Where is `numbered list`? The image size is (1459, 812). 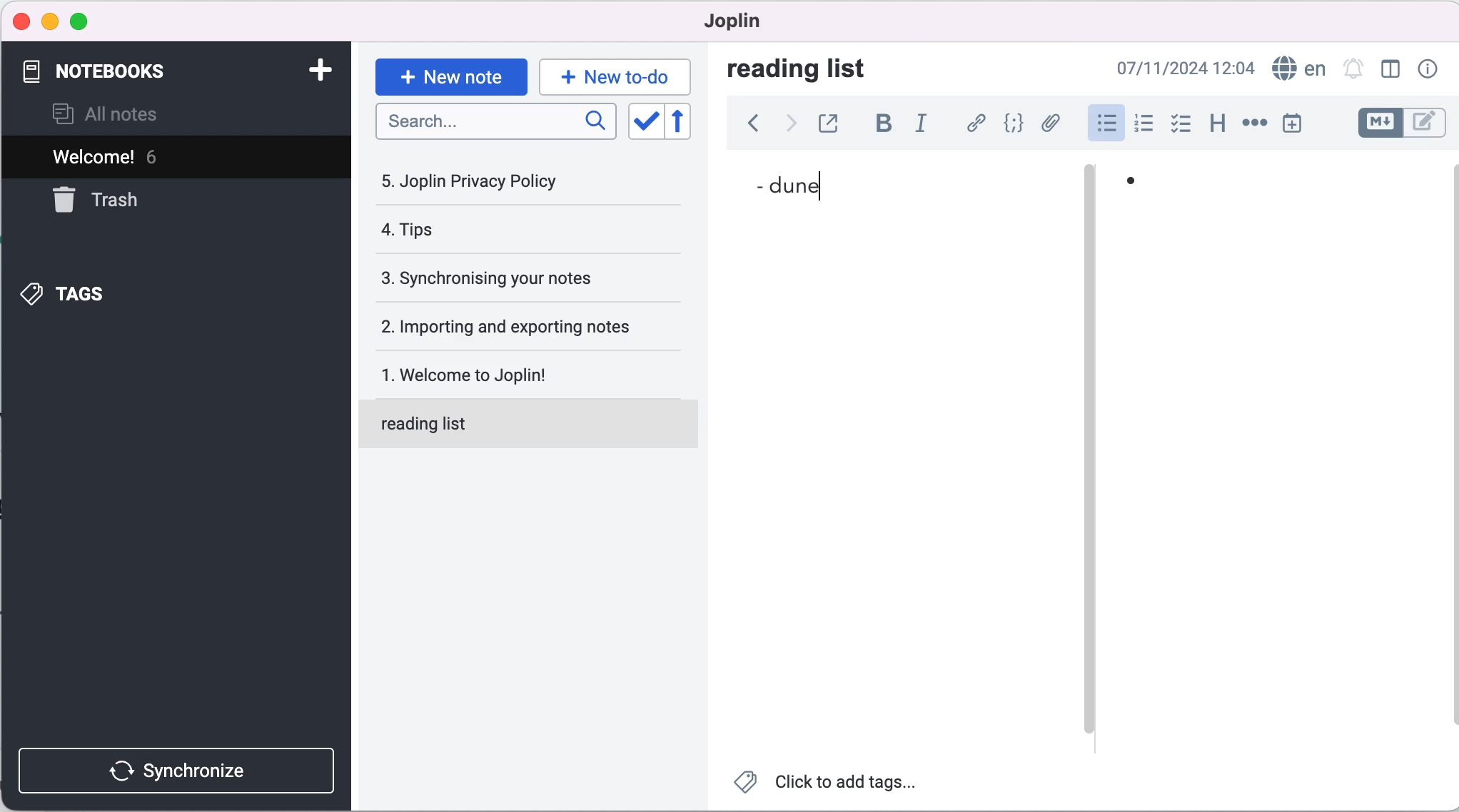
numbered list is located at coordinates (1144, 126).